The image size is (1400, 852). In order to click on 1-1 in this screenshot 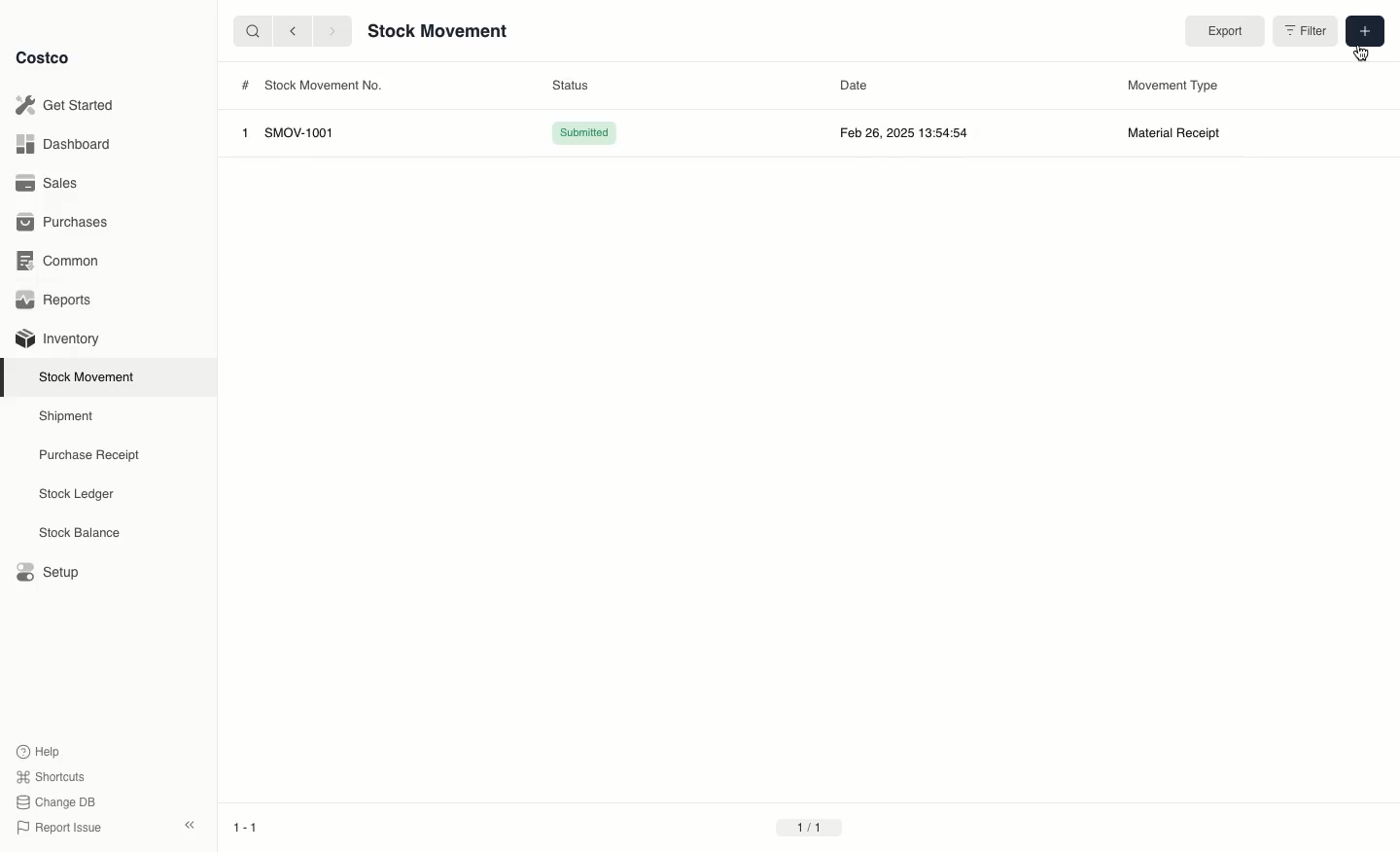, I will do `click(248, 828)`.